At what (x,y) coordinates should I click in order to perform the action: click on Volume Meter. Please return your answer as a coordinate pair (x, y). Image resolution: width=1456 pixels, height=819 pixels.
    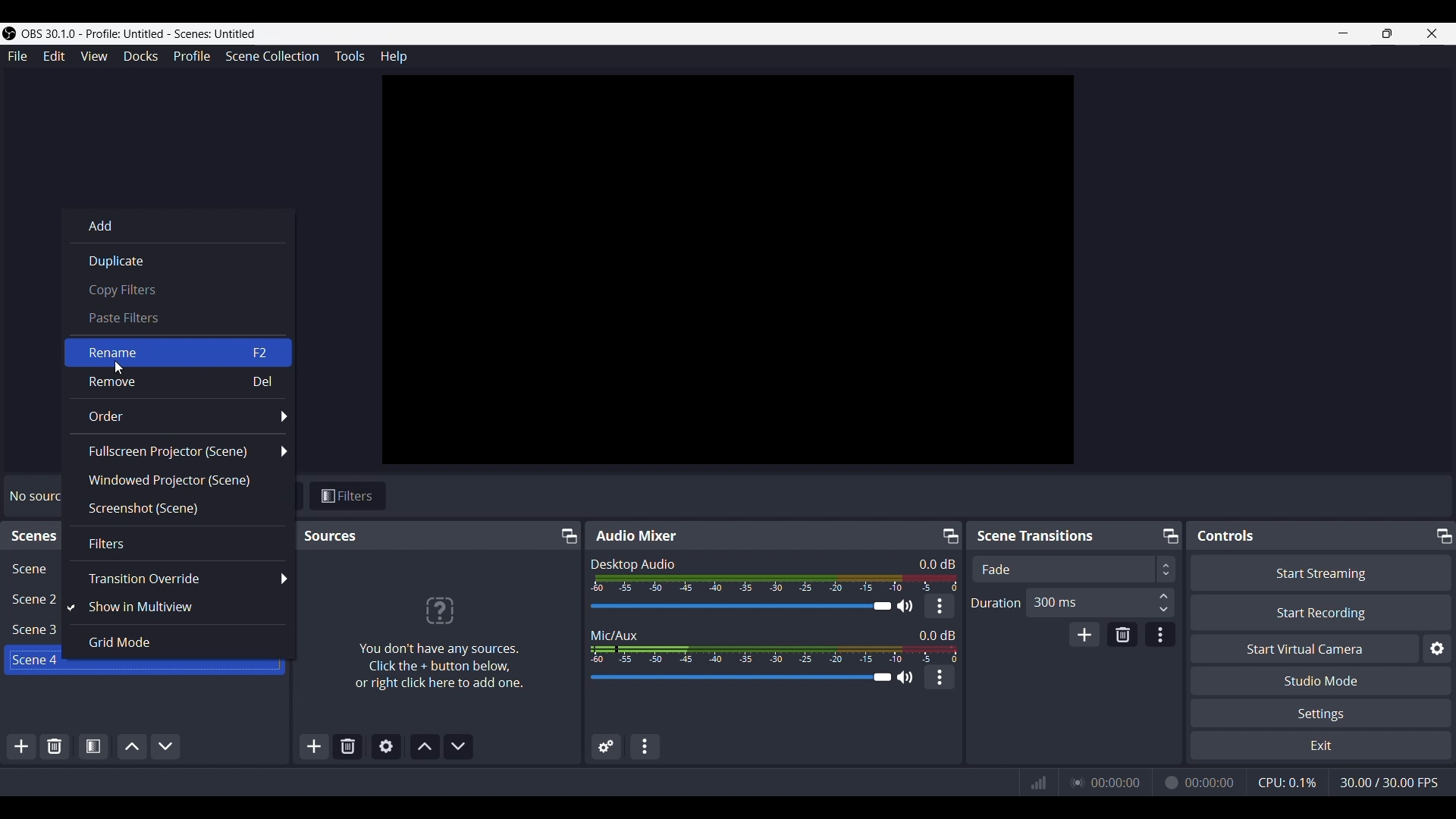
    Looking at the image, I should click on (777, 583).